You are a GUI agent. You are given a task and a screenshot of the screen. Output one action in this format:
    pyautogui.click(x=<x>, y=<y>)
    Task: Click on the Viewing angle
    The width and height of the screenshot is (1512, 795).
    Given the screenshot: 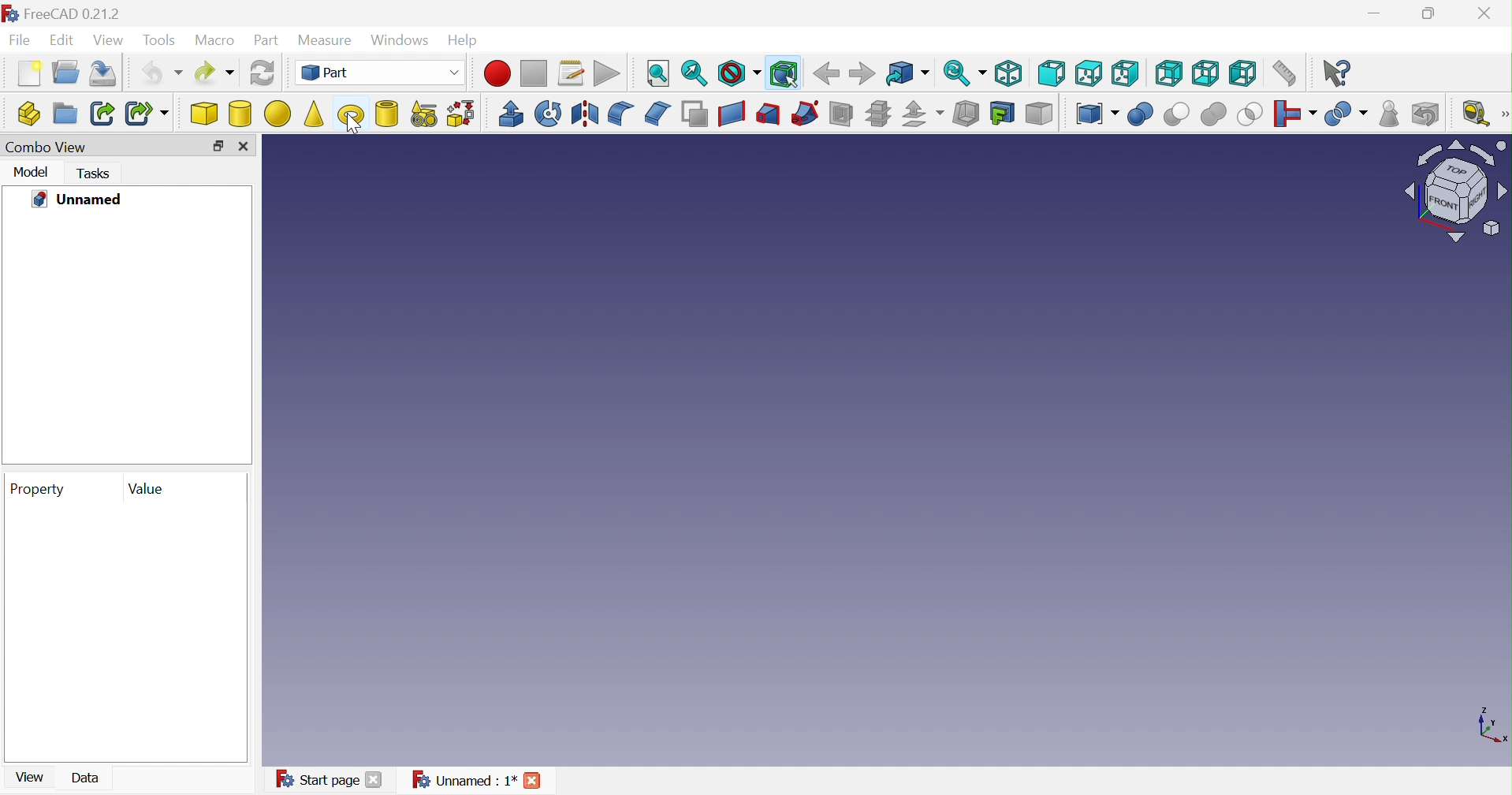 What is the action you would take?
    pyautogui.click(x=1455, y=192)
    